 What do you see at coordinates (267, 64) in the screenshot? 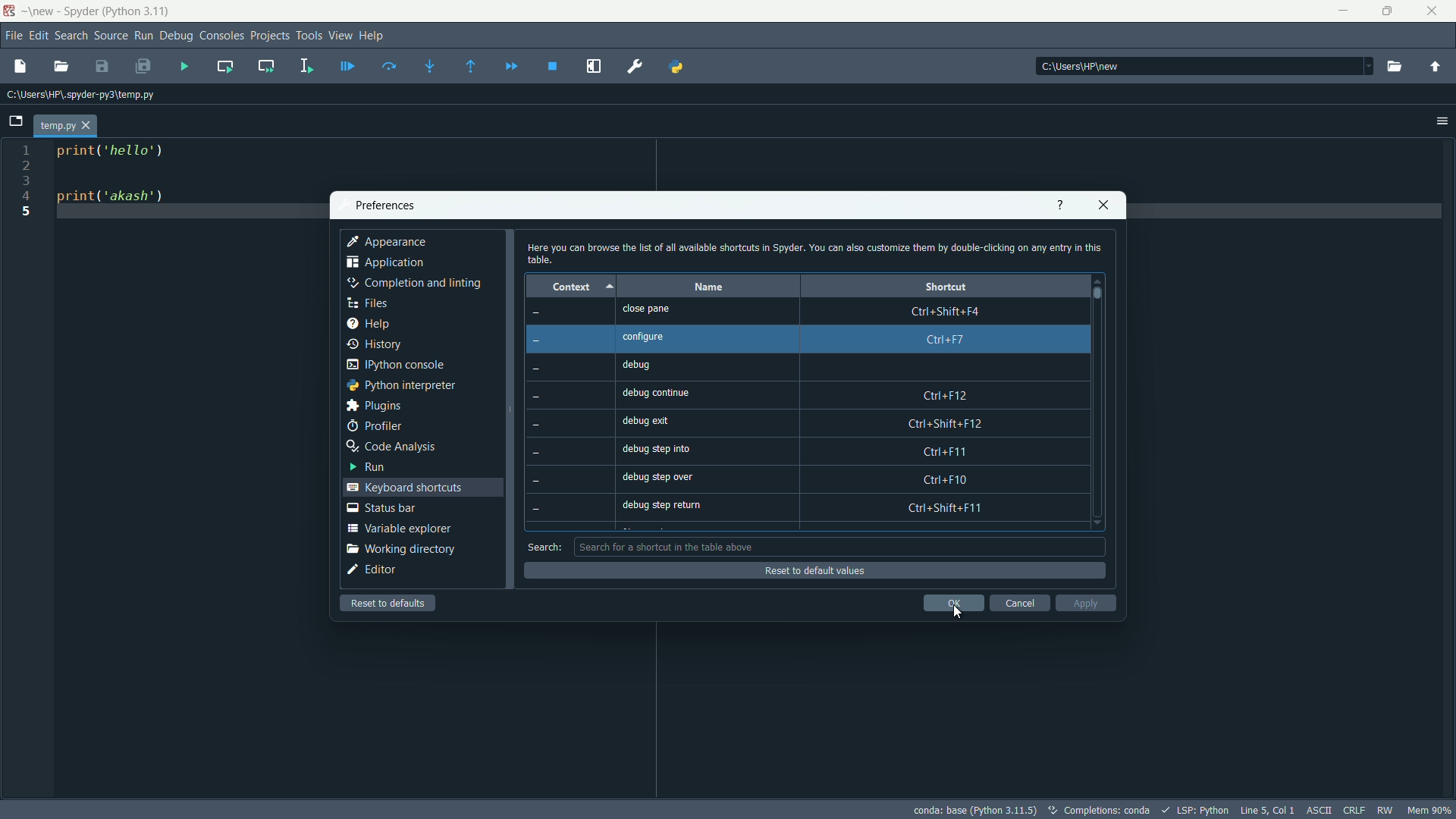
I see `run current cell and go to the next one` at bounding box center [267, 64].